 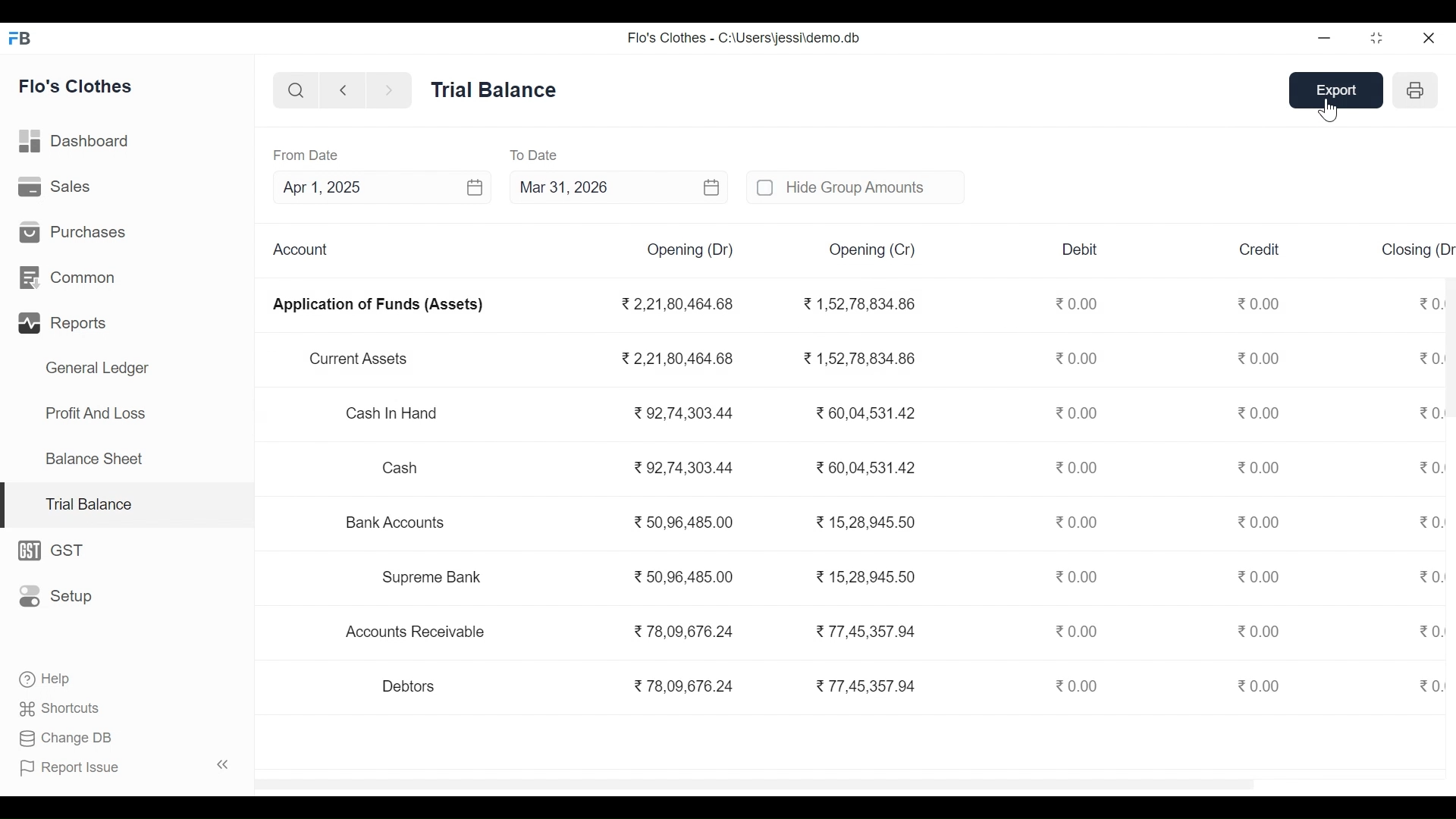 What do you see at coordinates (1080, 631) in the screenshot?
I see `0.00` at bounding box center [1080, 631].